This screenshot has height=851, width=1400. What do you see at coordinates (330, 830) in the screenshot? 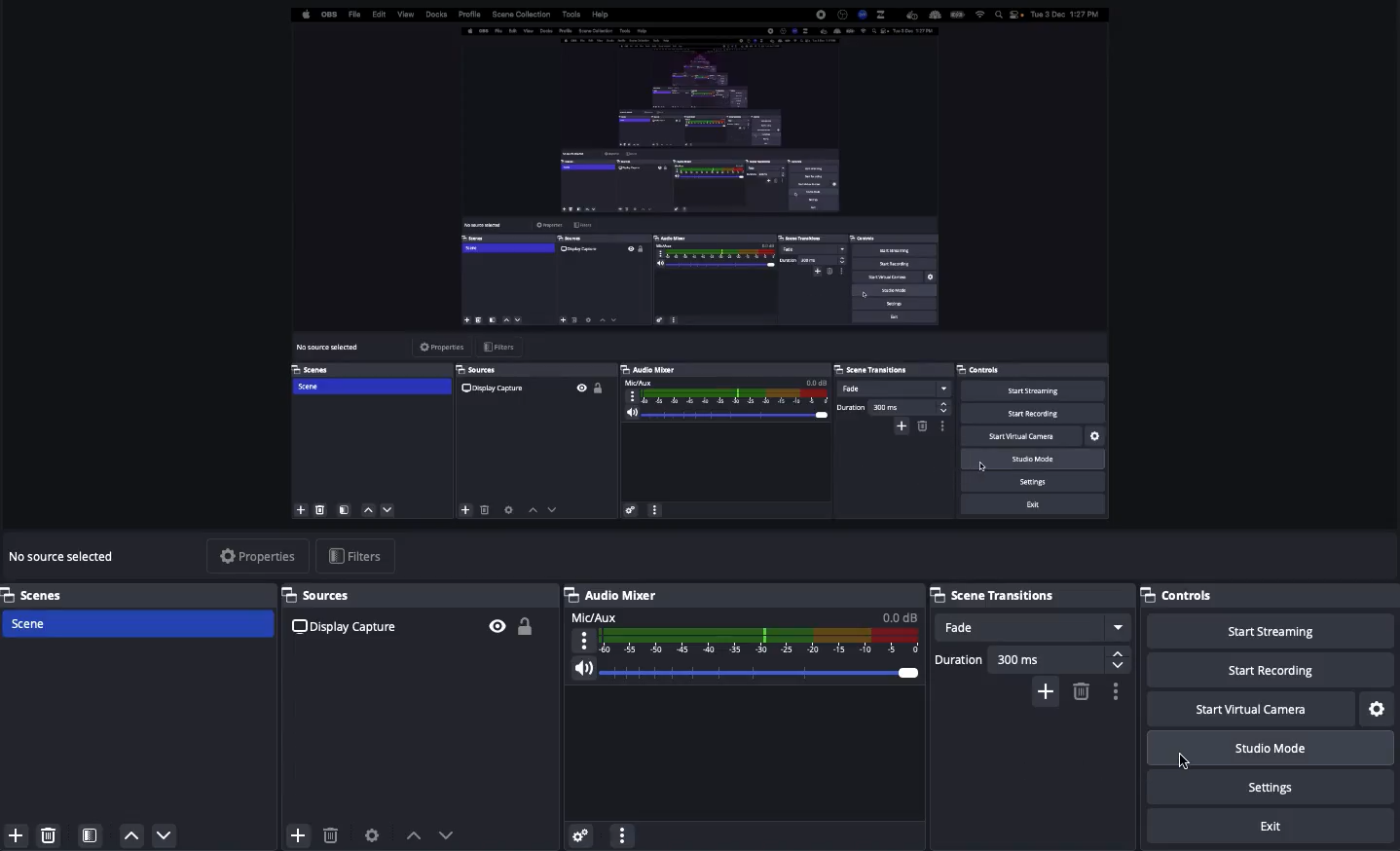
I see `delete` at bounding box center [330, 830].